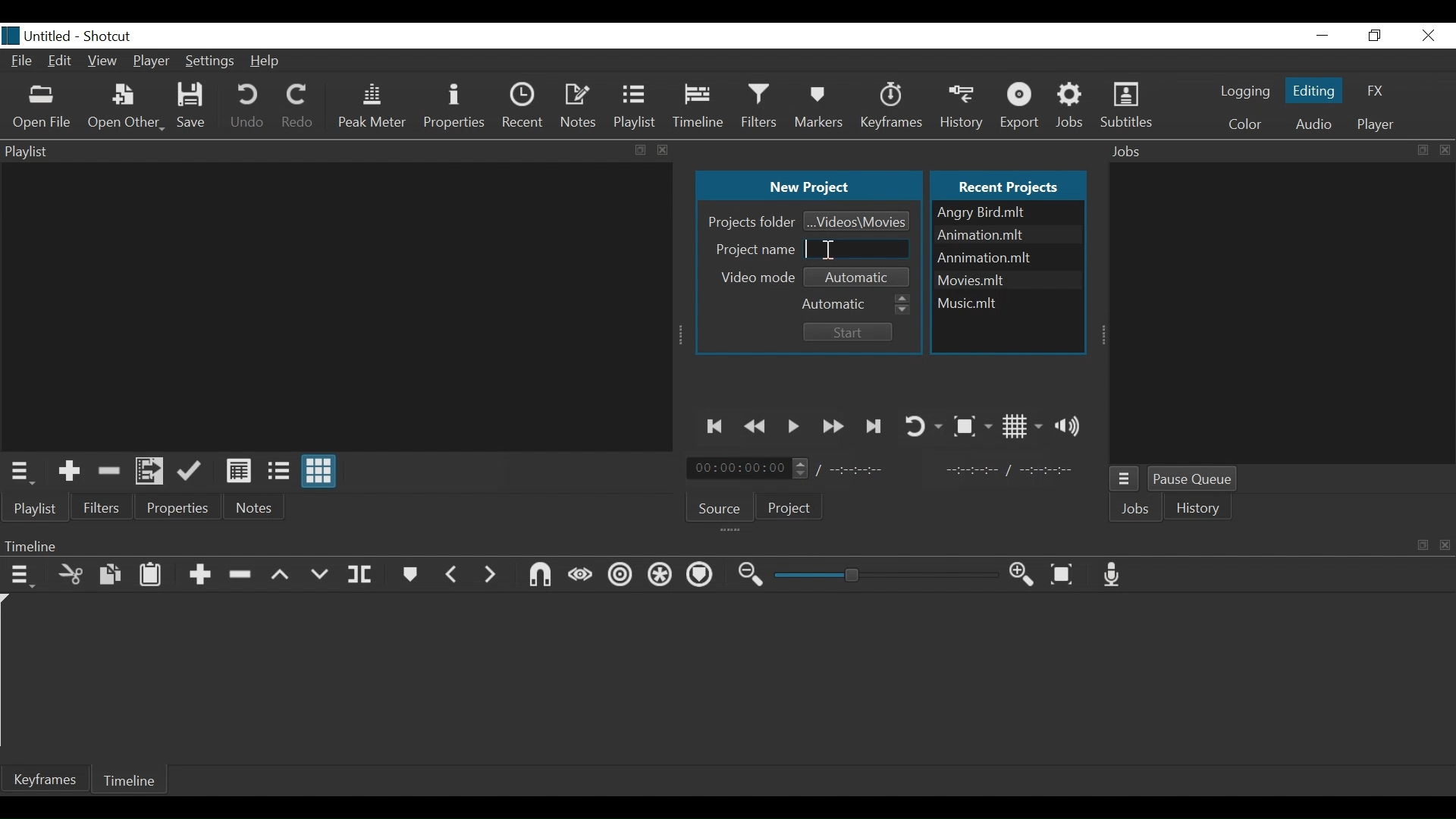 The width and height of the screenshot is (1456, 819). I want to click on istory, so click(1202, 508).